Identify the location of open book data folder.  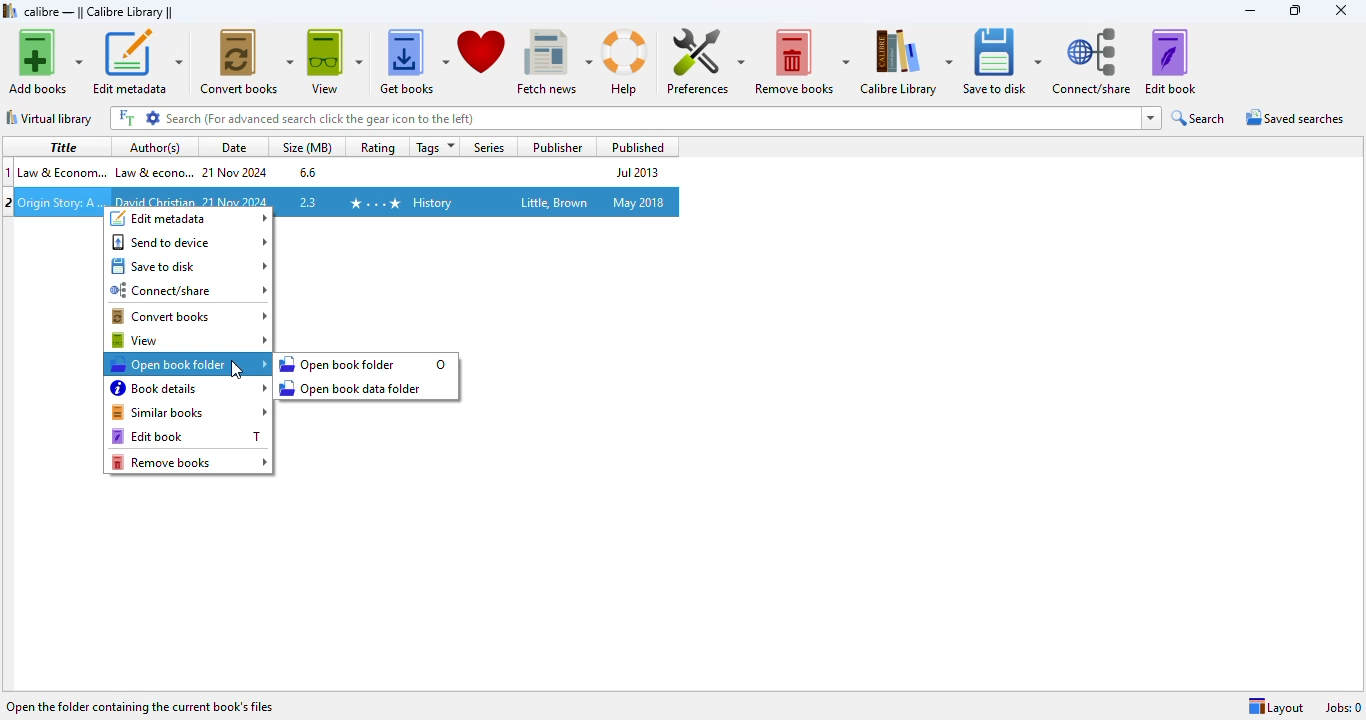
(352, 387).